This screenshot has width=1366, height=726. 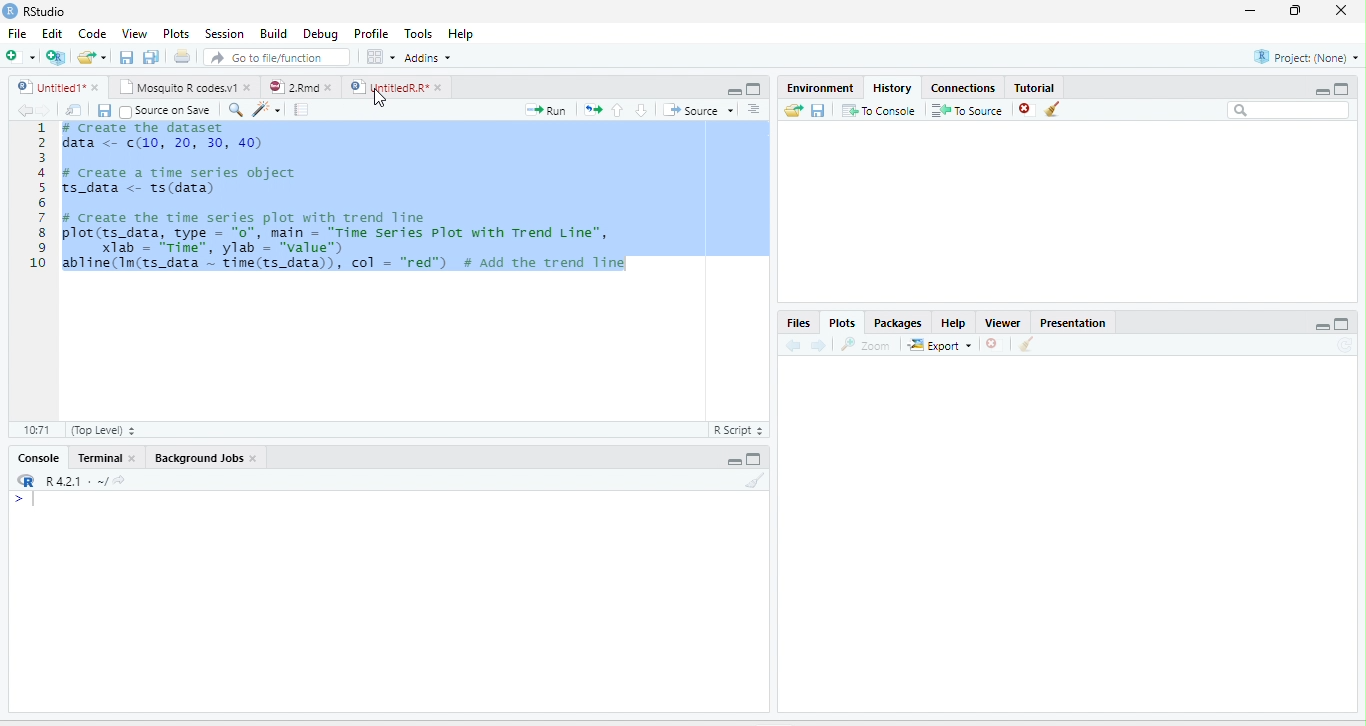 I want to click on Go to previous section/chunk, so click(x=617, y=109).